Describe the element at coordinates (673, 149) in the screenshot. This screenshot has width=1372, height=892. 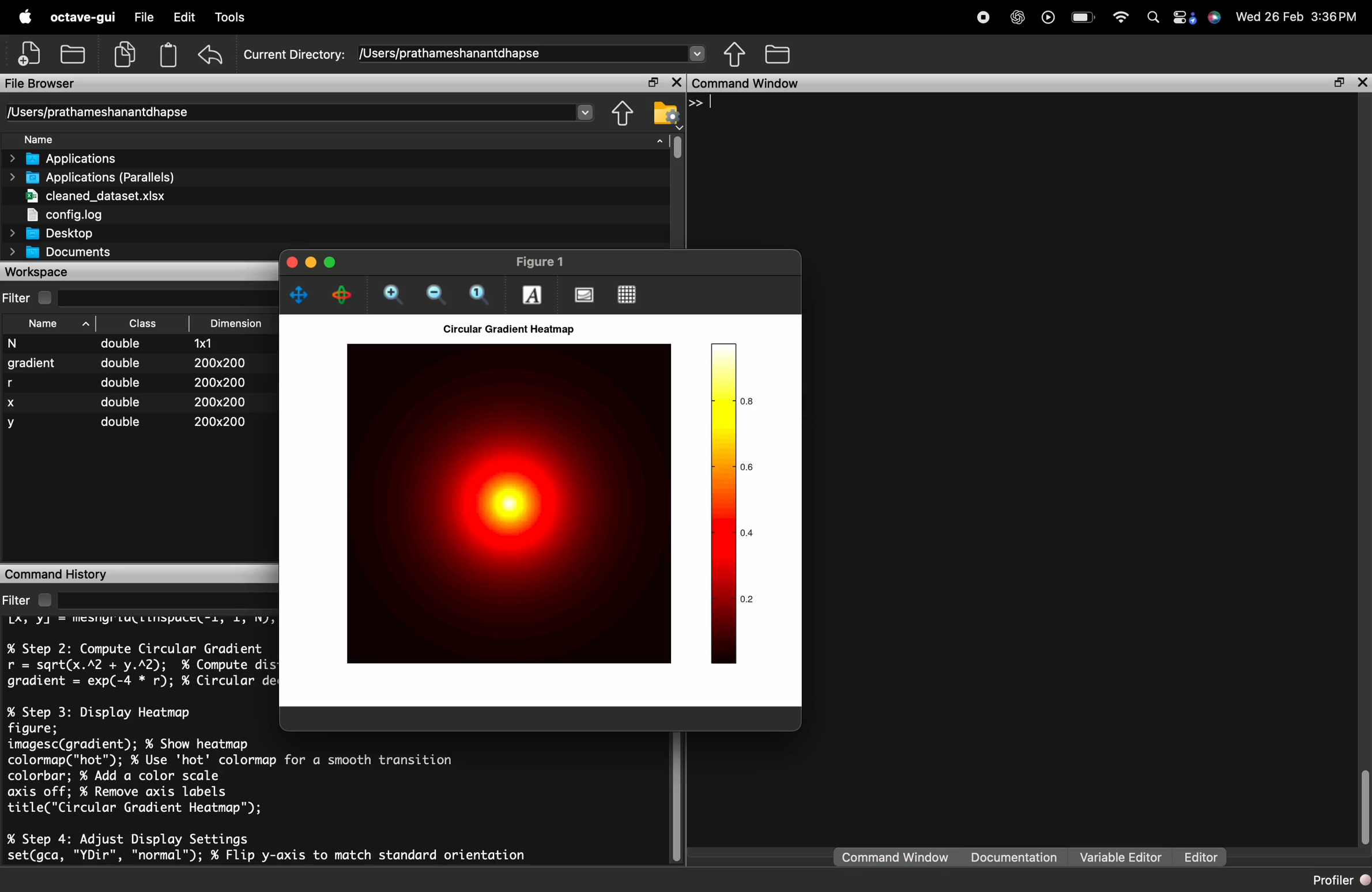
I see `vertical scrollbar` at that location.